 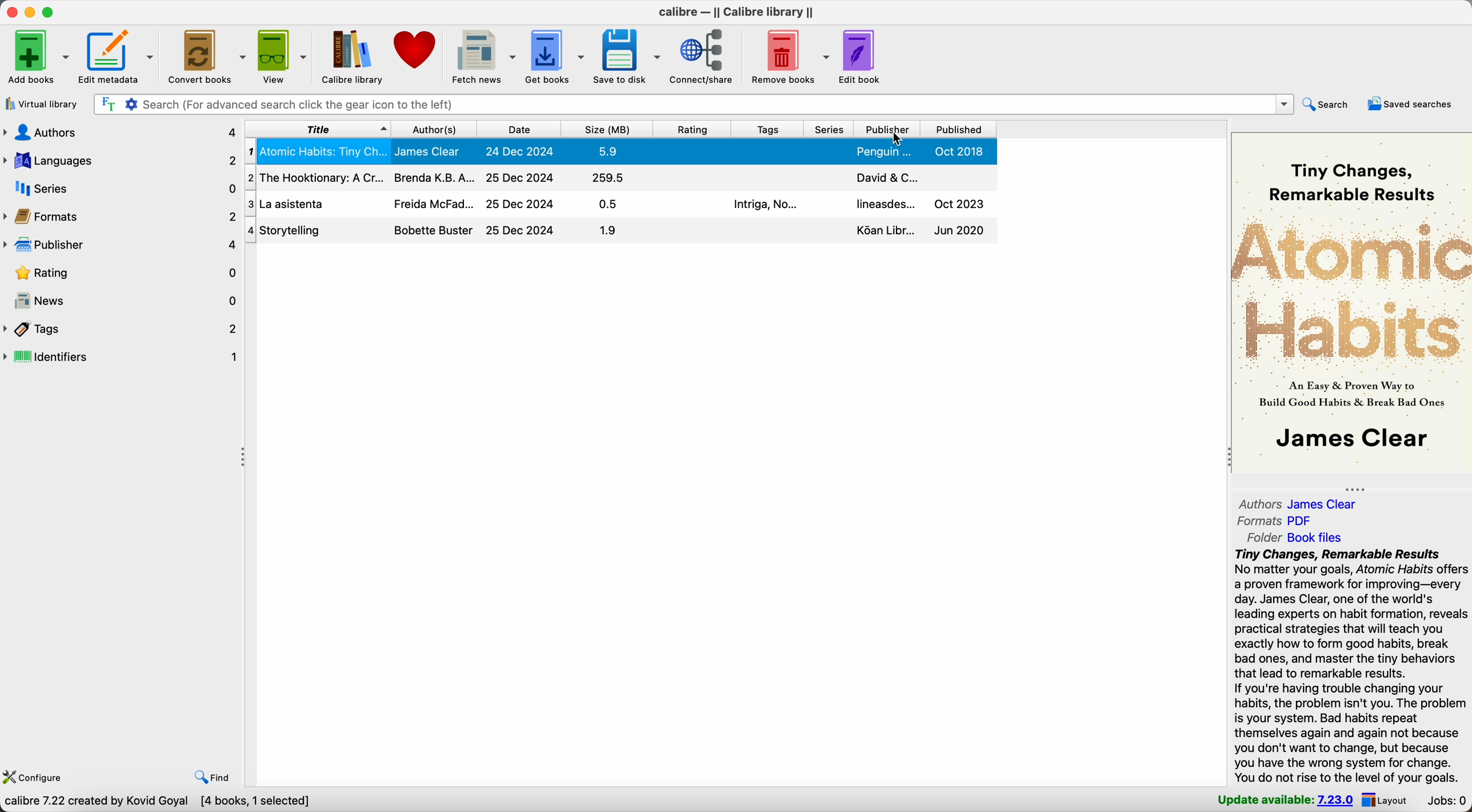 What do you see at coordinates (557, 55) in the screenshot?
I see `get books` at bounding box center [557, 55].